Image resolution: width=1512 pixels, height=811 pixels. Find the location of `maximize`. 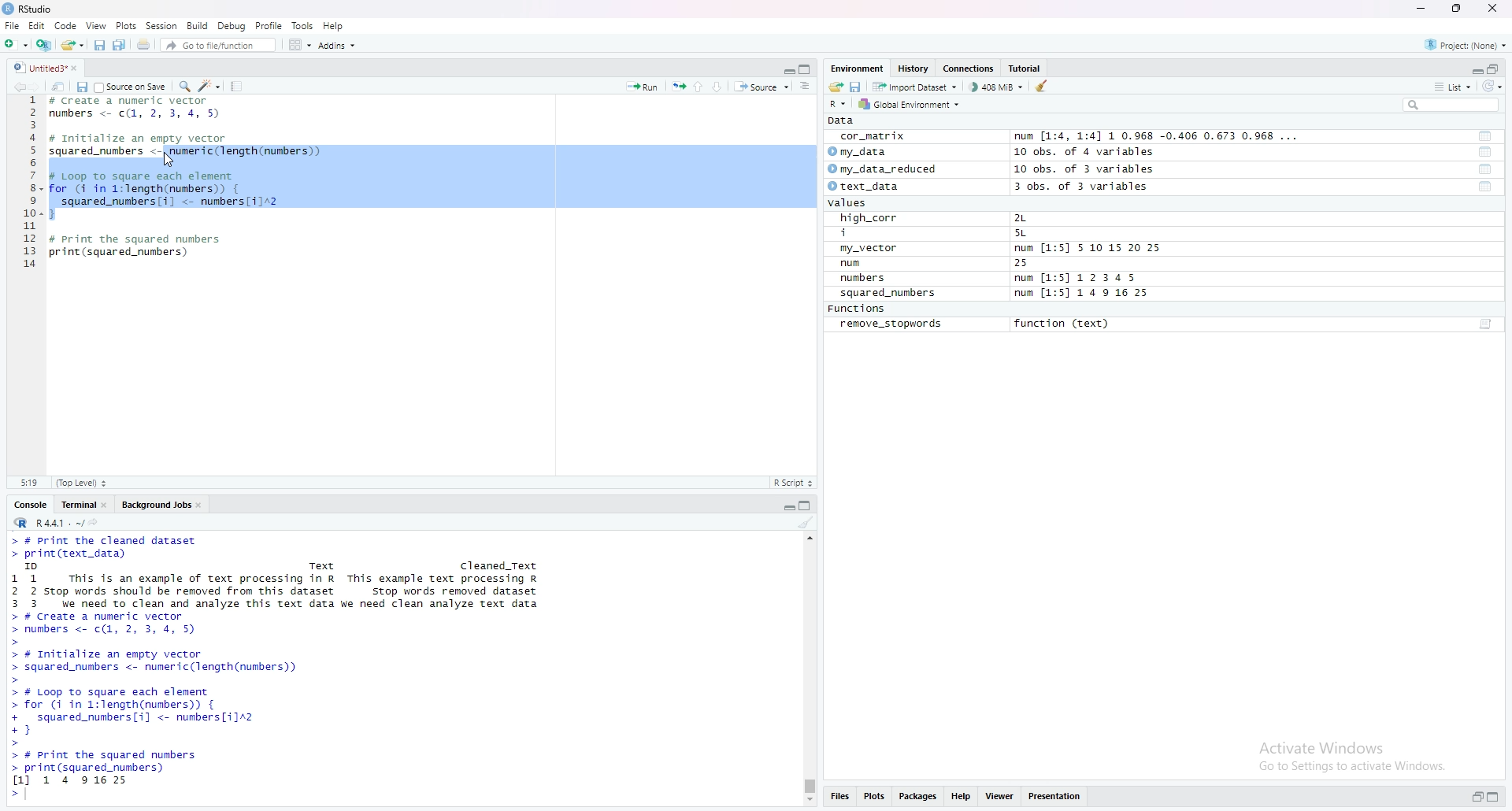

maximize is located at coordinates (1495, 68).